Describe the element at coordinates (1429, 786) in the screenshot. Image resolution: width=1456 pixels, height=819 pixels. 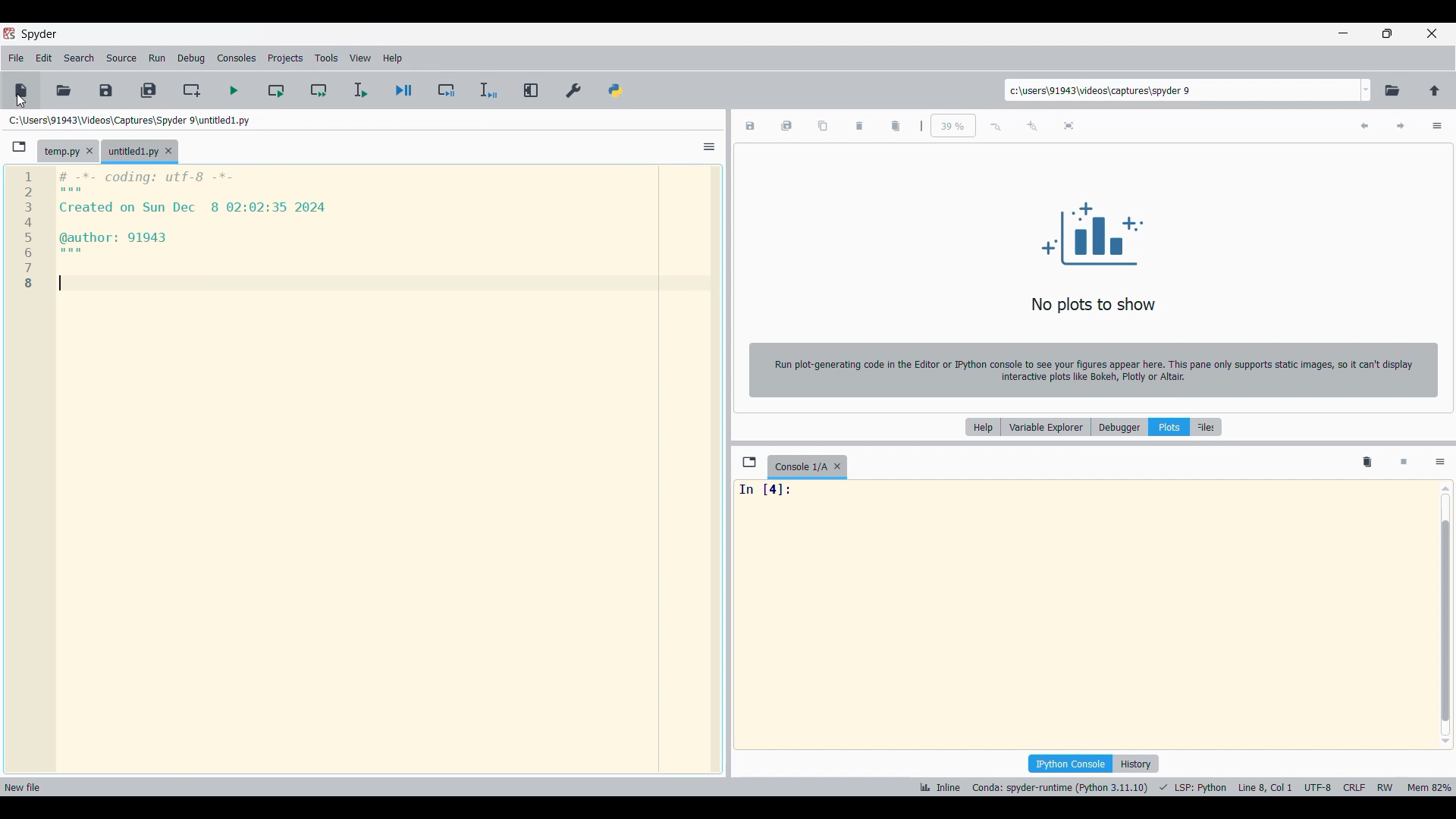
I see `memory usage` at that location.